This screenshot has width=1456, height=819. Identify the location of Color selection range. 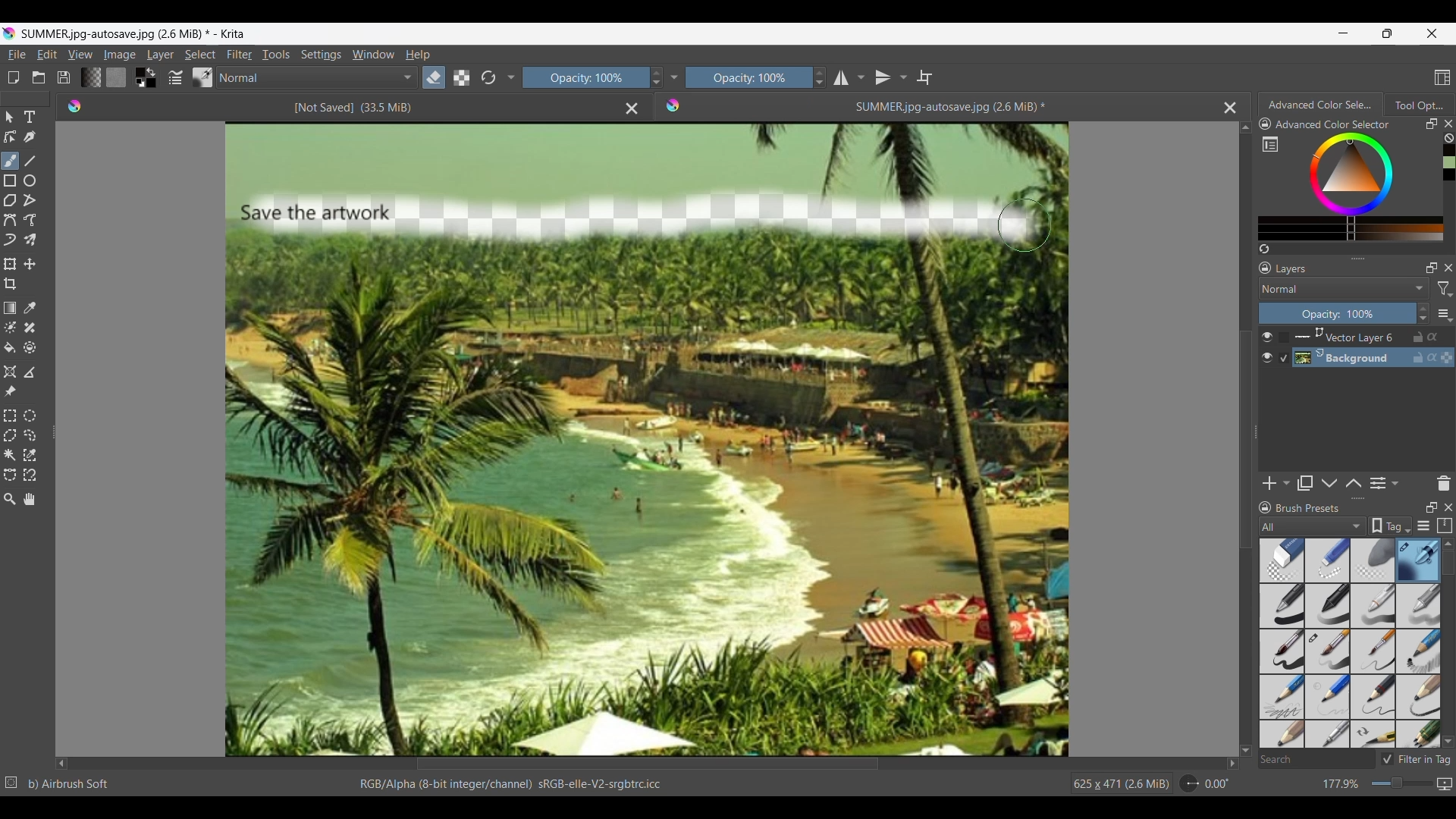
(1362, 187).